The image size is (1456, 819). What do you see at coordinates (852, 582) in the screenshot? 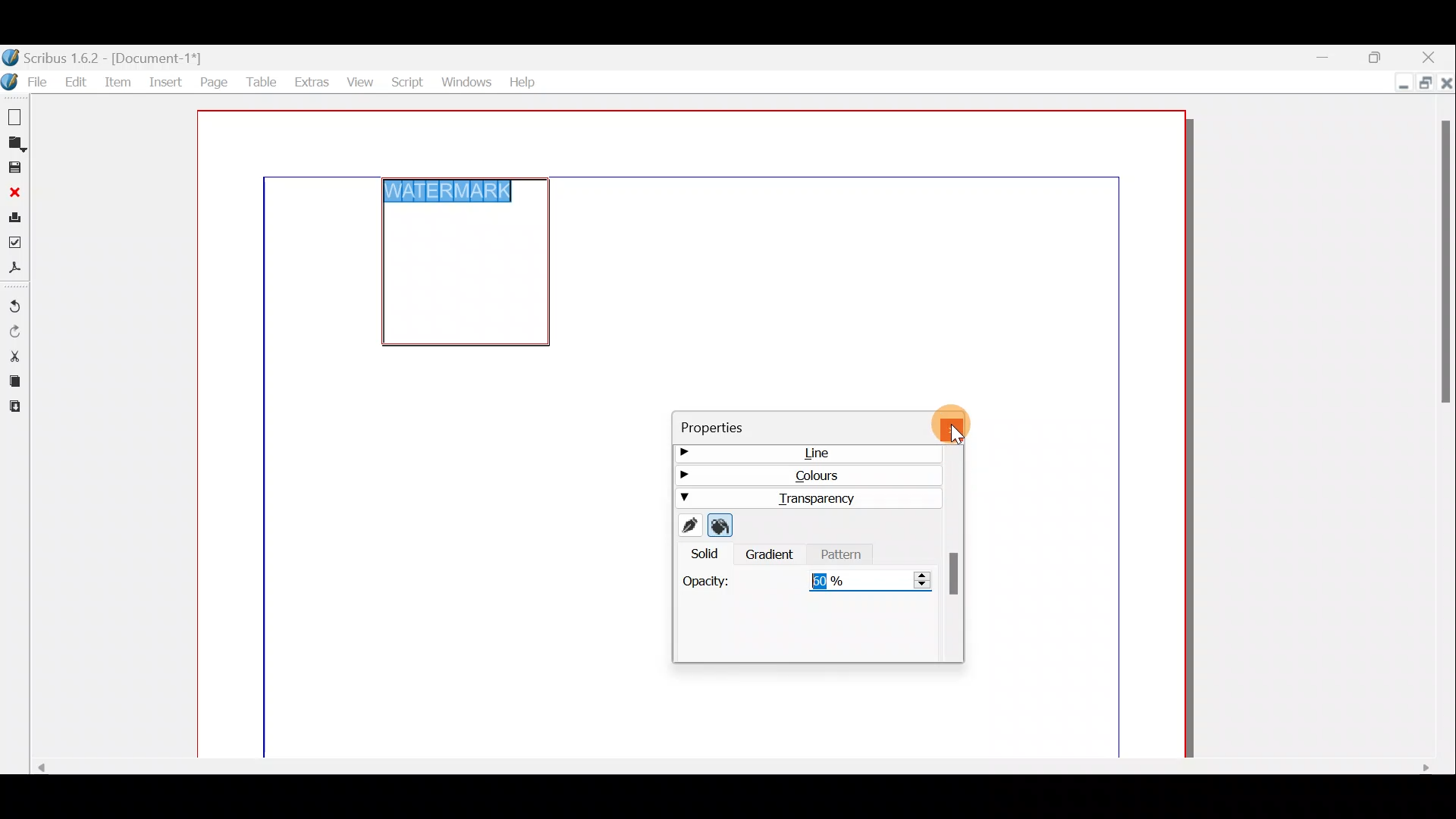
I see `50%` at bounding box center [852, 582].